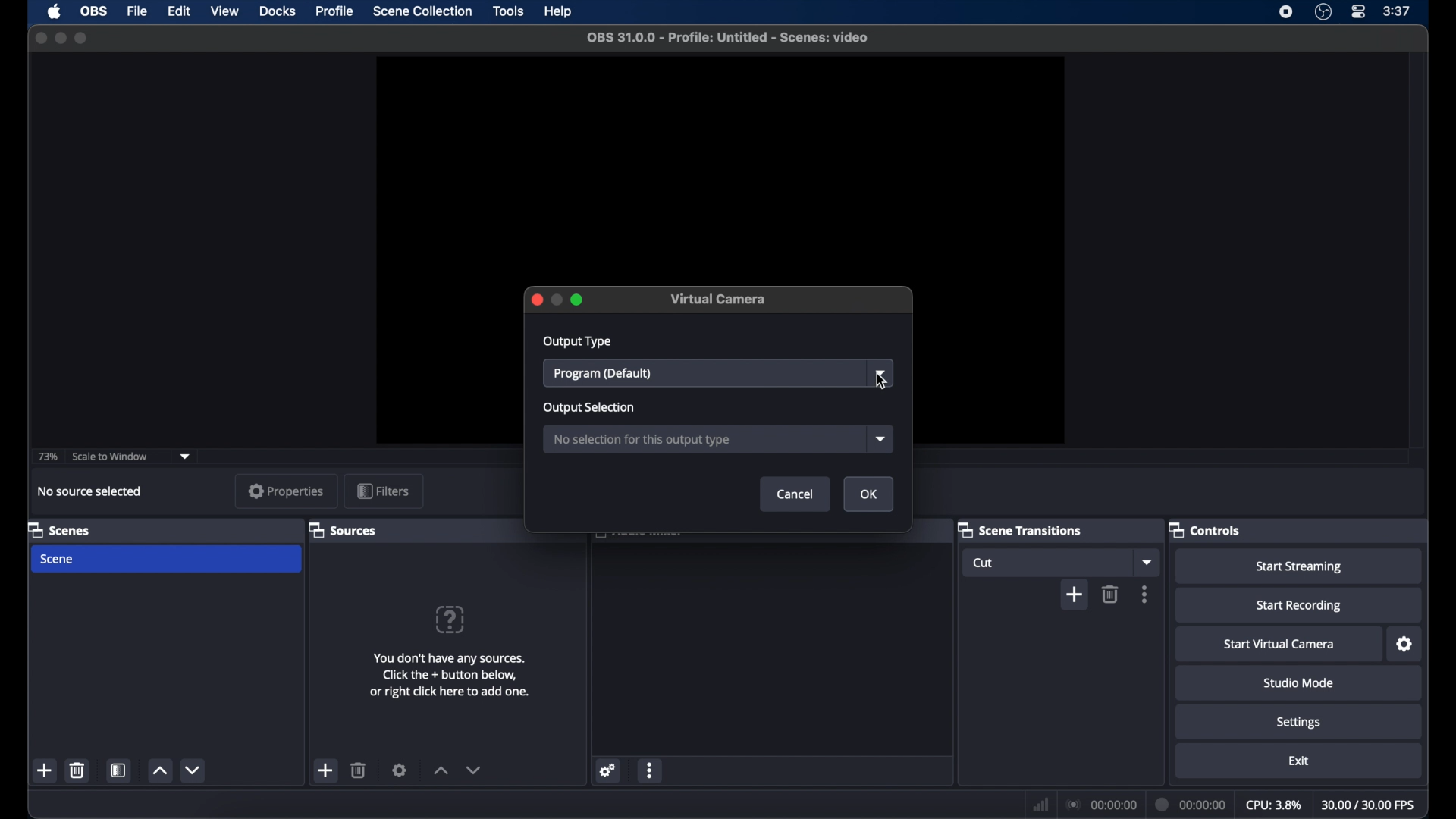  What do you see at coordinates (278, 11) in the screenshot?
I see `docks` at bounding box center [278, 11].